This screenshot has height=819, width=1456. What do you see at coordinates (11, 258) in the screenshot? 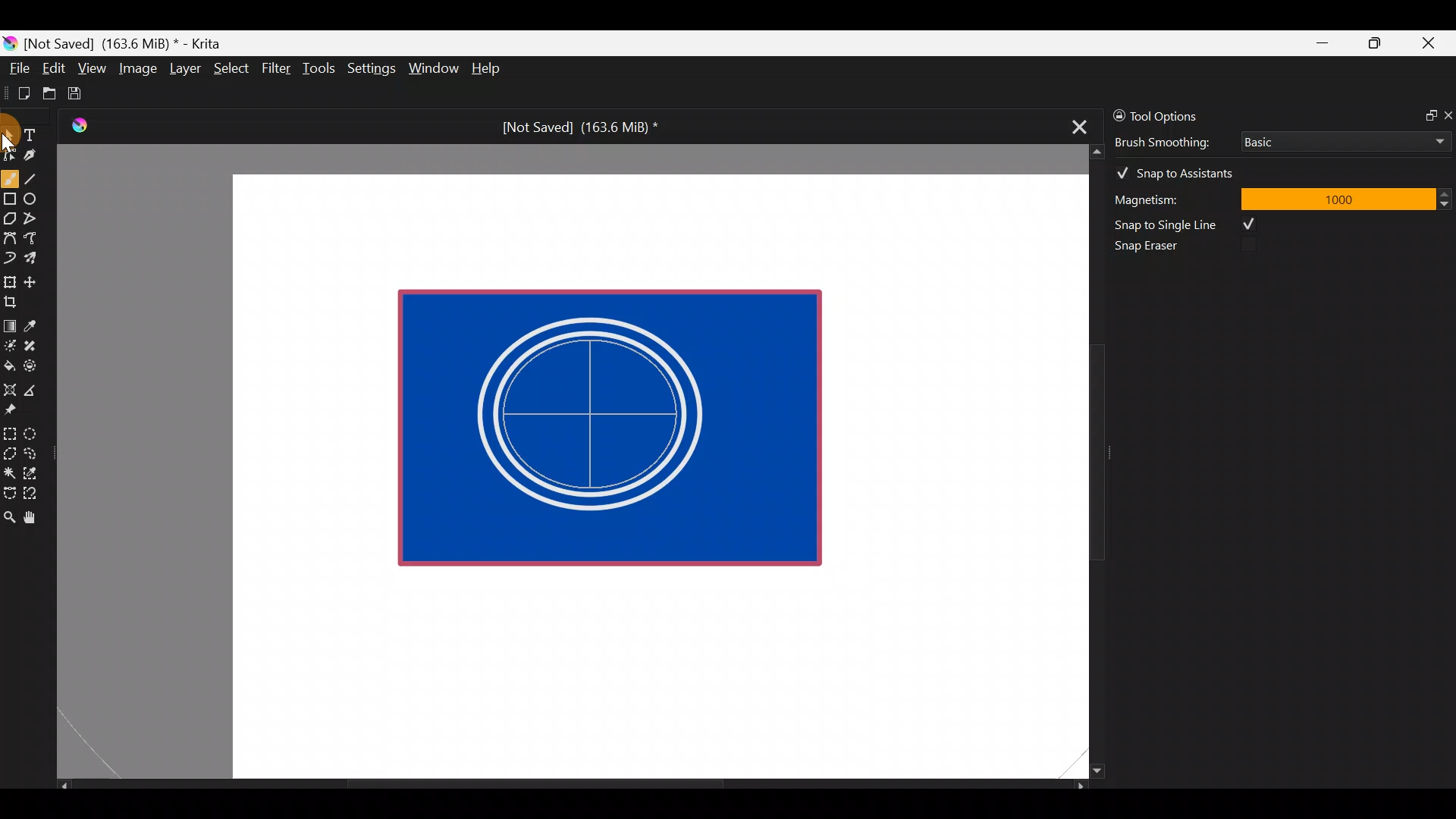
I see `Dynamic brush tool` at bounding box center [11, 258].